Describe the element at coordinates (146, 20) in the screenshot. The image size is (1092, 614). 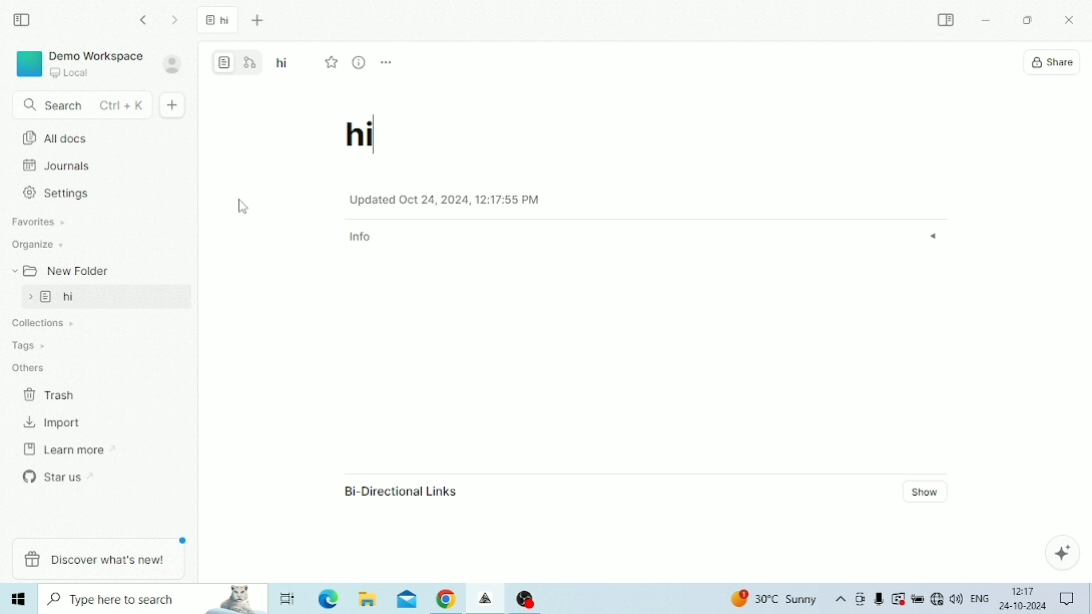
I see `Go back` at that location.